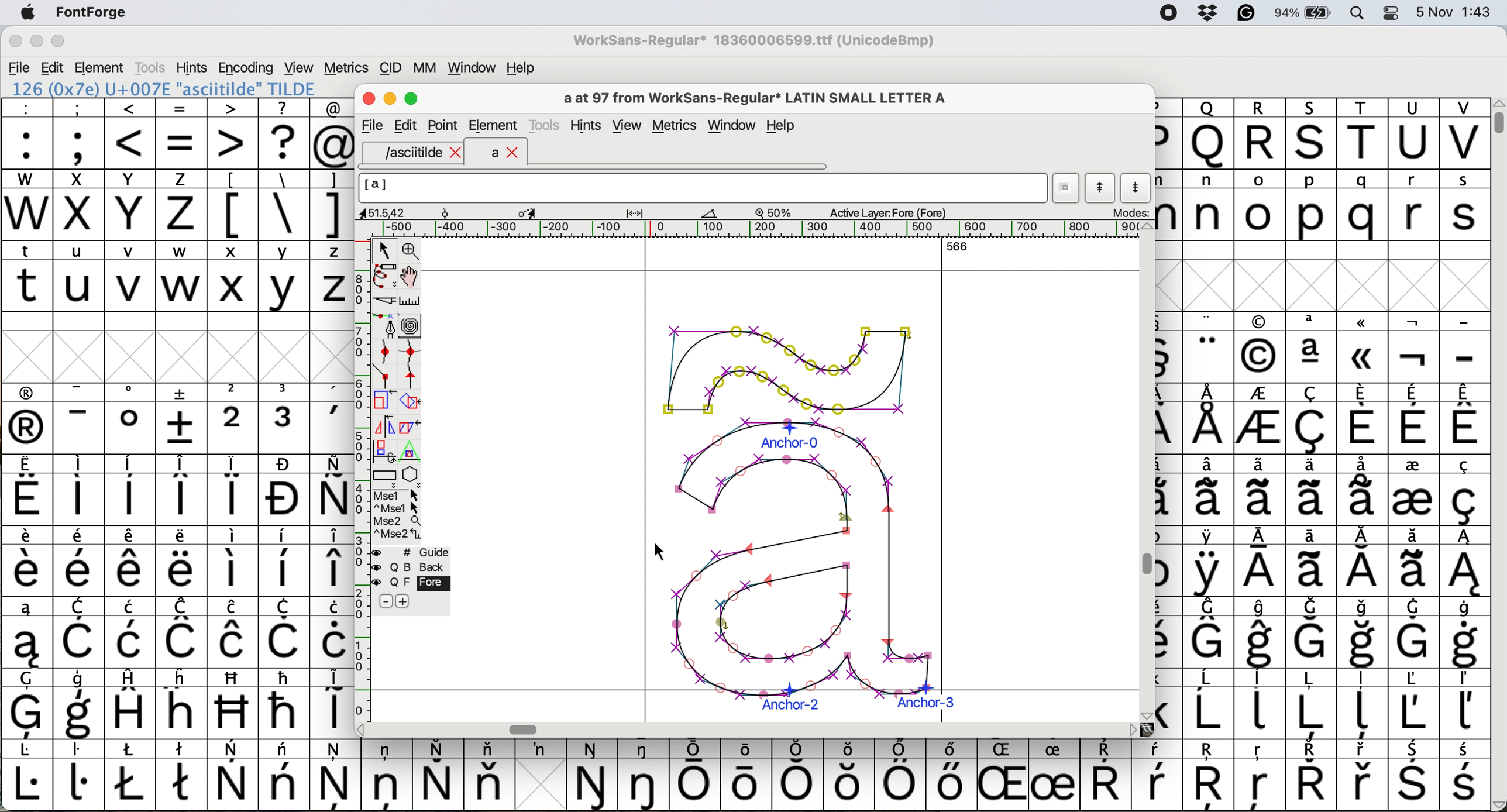 This screenshot has height=812, width=1507. Describe the element at coordinates (78, 490) in the screenshot. I see `symbol` at that location.